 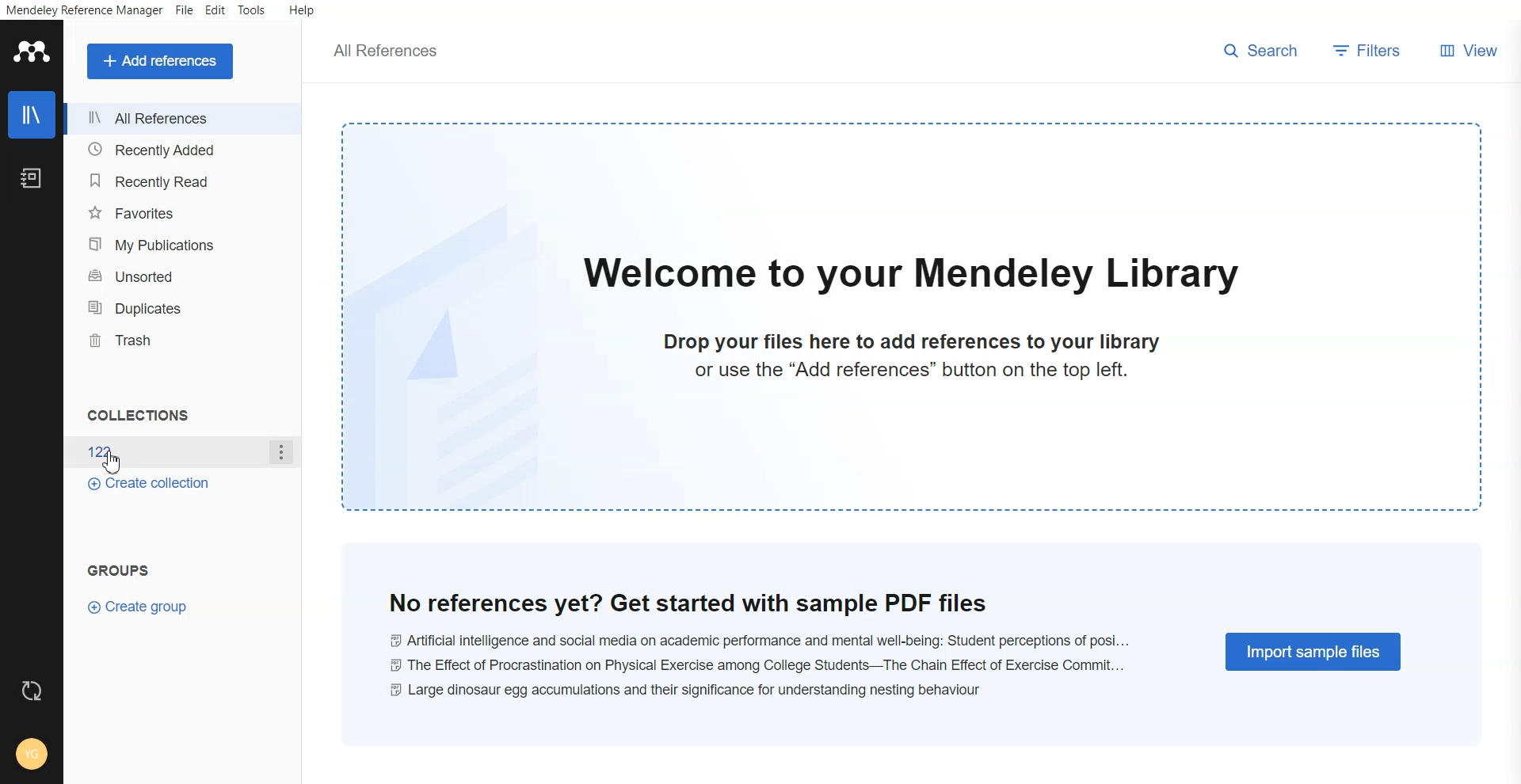 I want to click on no reference yet? get started with sample pdf files, so click(x=760, y=602).